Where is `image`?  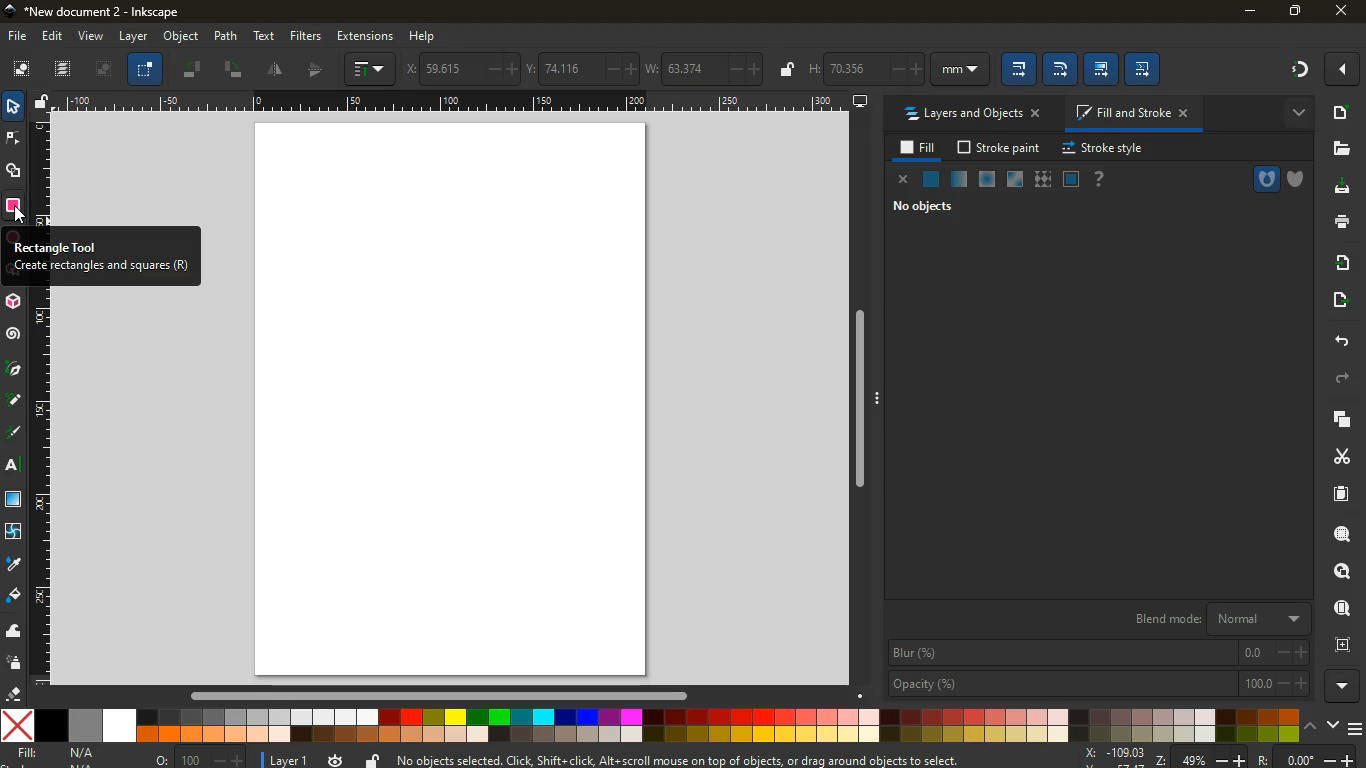
image is located at coordinates (455, 403).